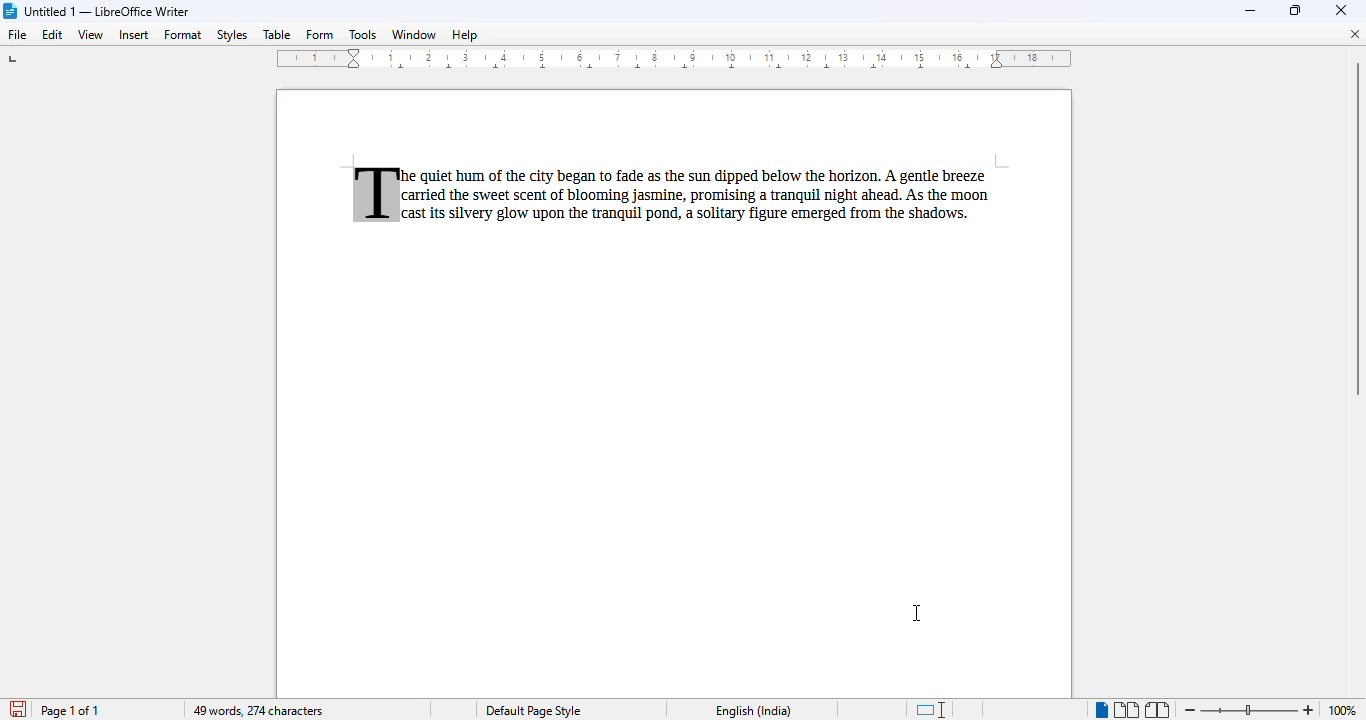  Describe the element at coordinates (18, 709) in the screenshot. I see `click to save document` at that location.